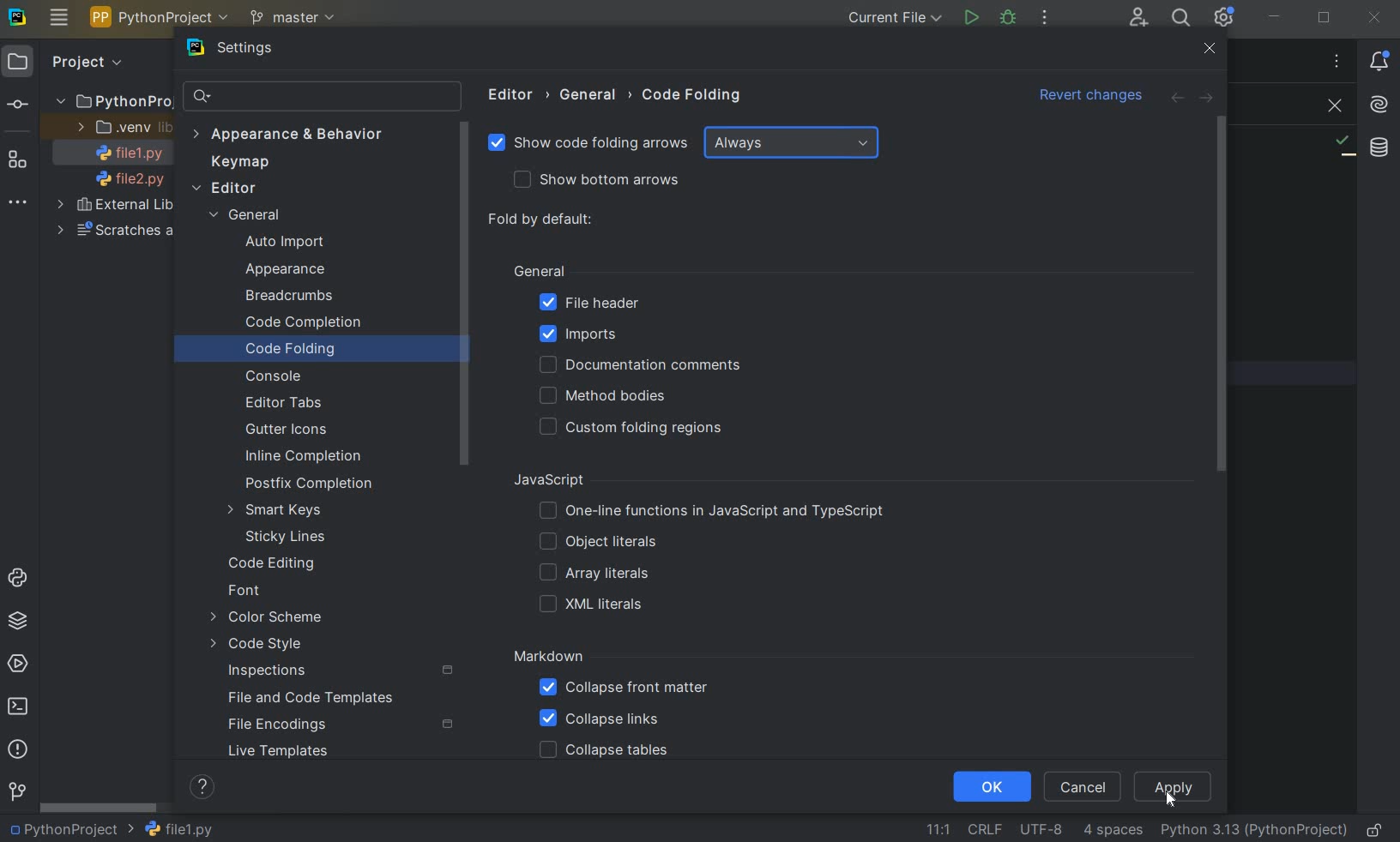 This screenshot has width=1400, height=842. Describe the element at coordinates (637, 428) in the screenshot. I see `CUSTOM FOLDING REGIONS` at that location.